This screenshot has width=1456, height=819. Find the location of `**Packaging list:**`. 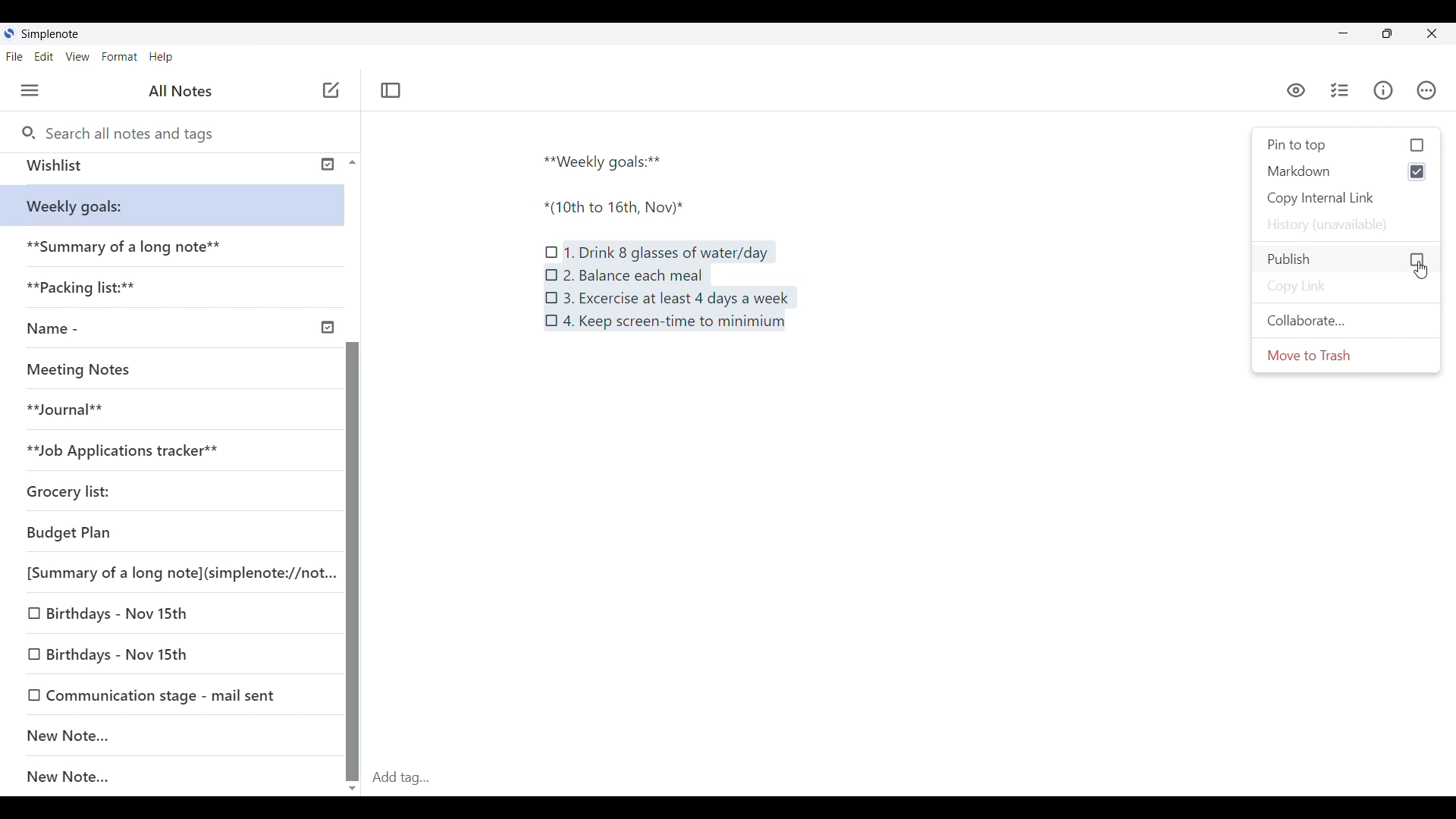

**Packaging list:** is located at coordinates (94, 292).